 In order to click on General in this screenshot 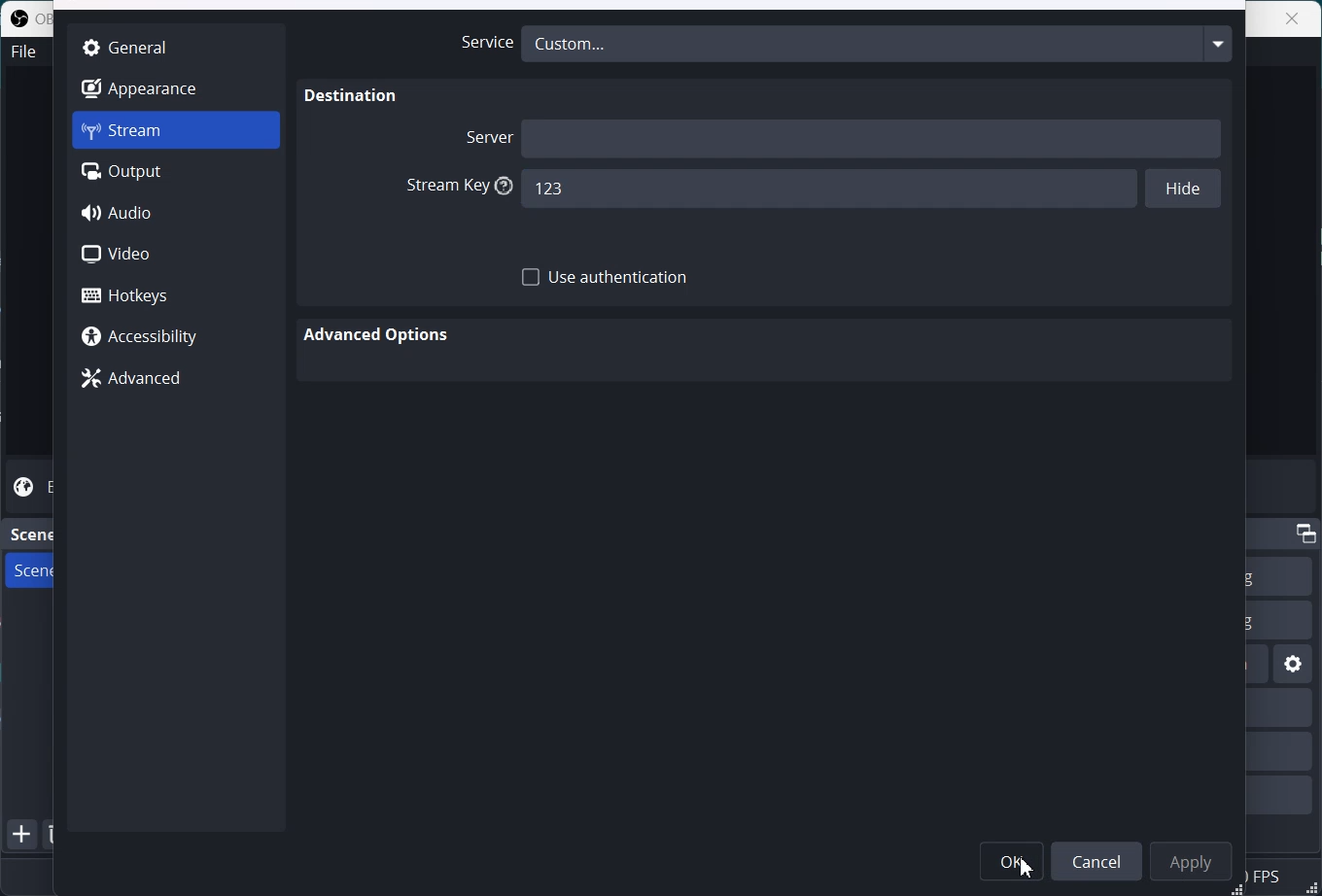, I will do `click(175, 46)`.